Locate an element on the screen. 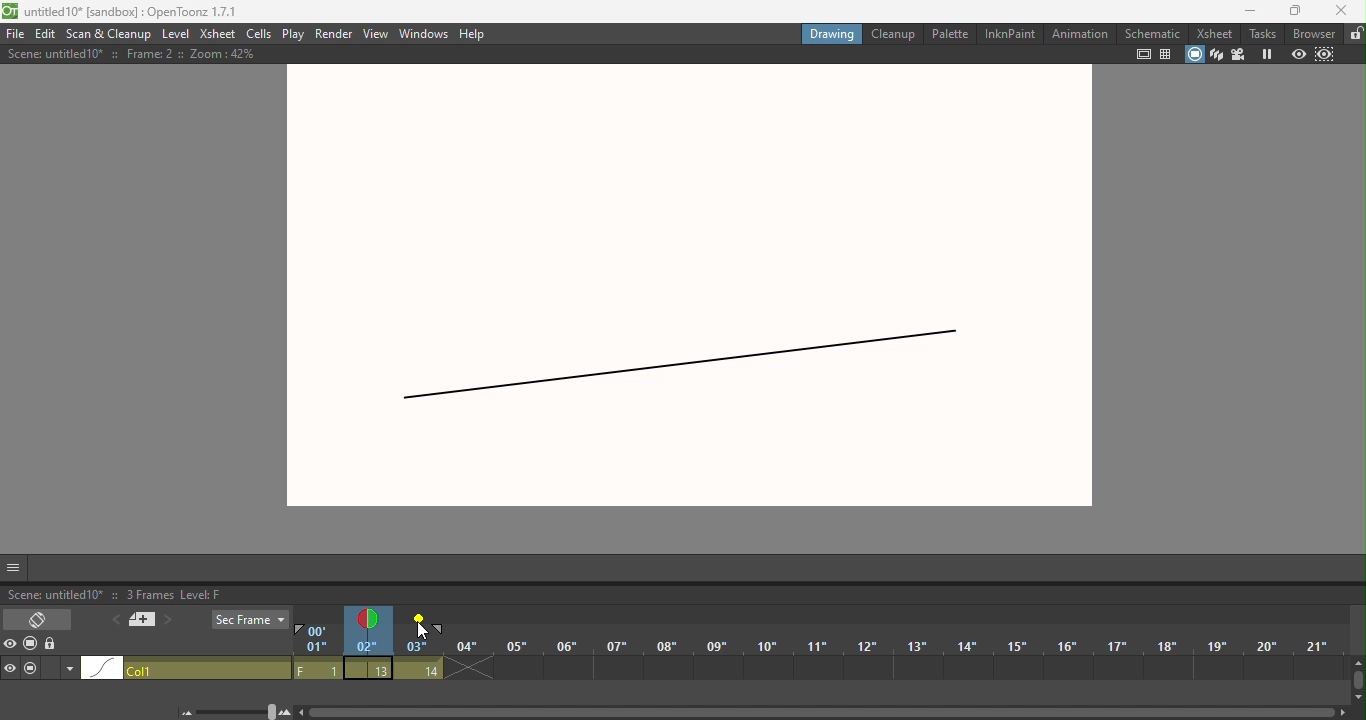  Lock rooms tab is located at coordinates (1353, 34).